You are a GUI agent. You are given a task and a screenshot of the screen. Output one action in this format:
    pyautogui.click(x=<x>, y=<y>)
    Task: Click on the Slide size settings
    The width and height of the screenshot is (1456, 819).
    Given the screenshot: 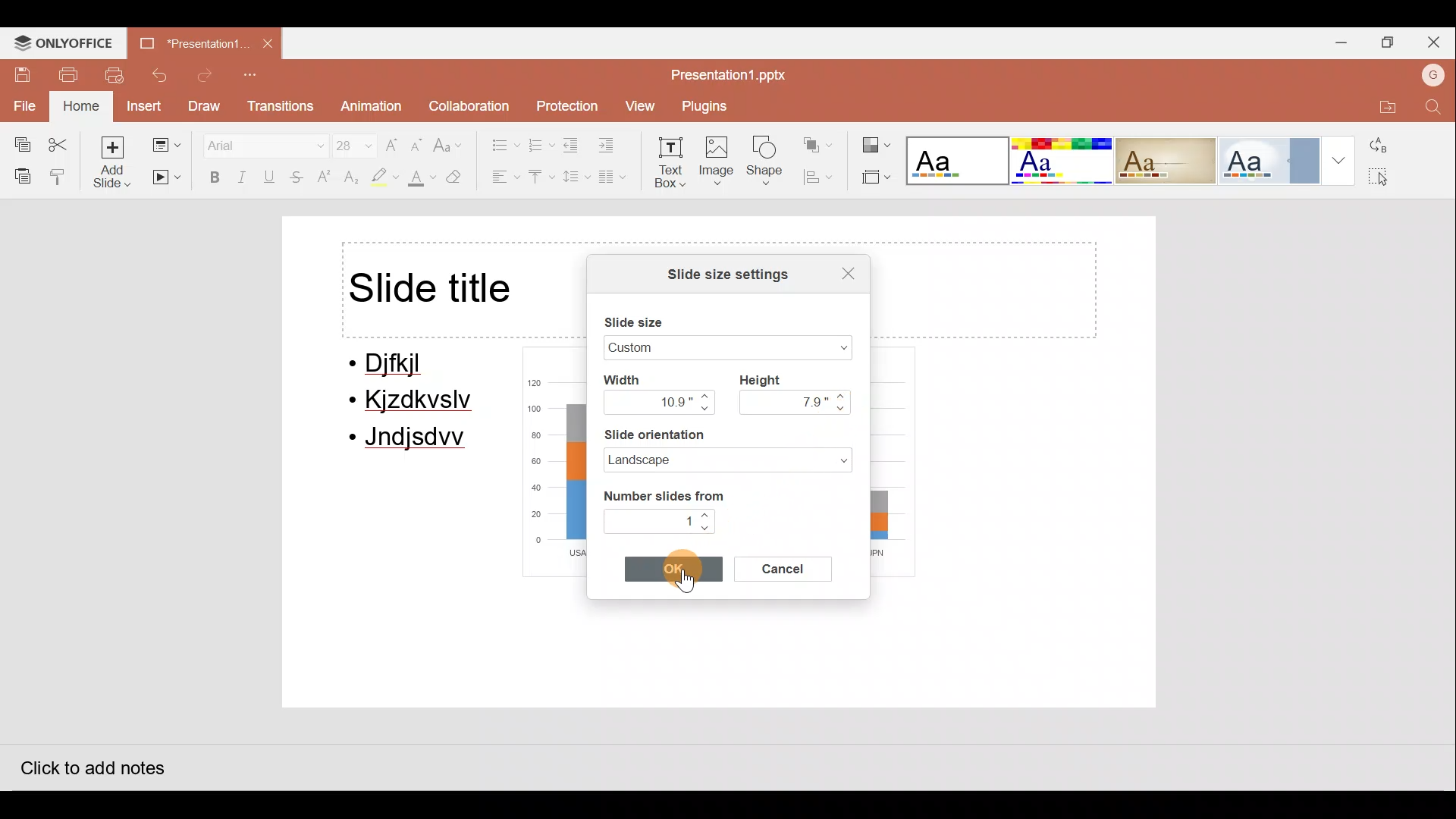 What is the action you would take?
    pyautogui.click(x=720, y=273)
    